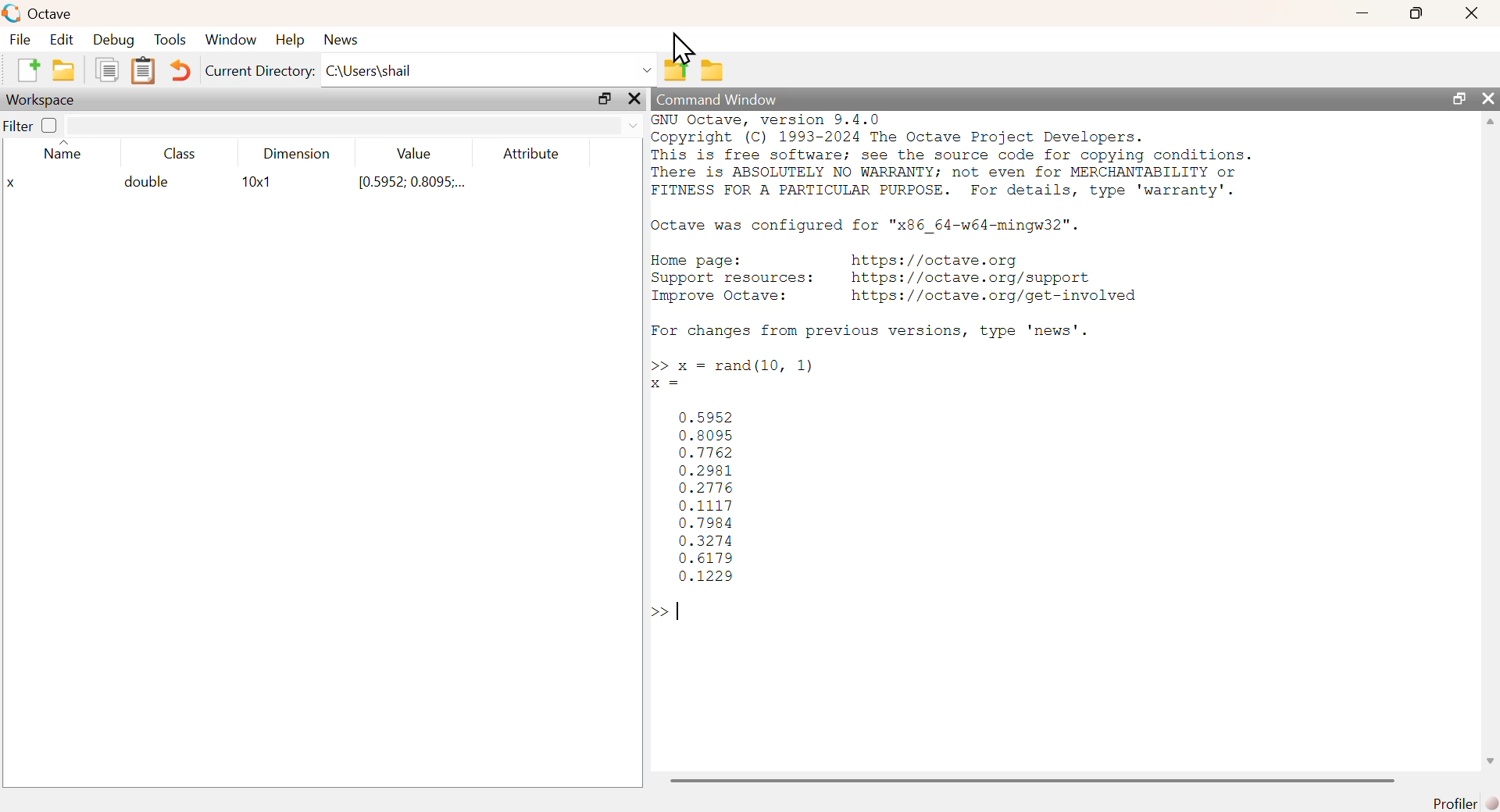 The image size is (1500, 812). What do you see at coordinates (143, 71) in the screenshot?
I see `paste` at bounding box center [143, 71].